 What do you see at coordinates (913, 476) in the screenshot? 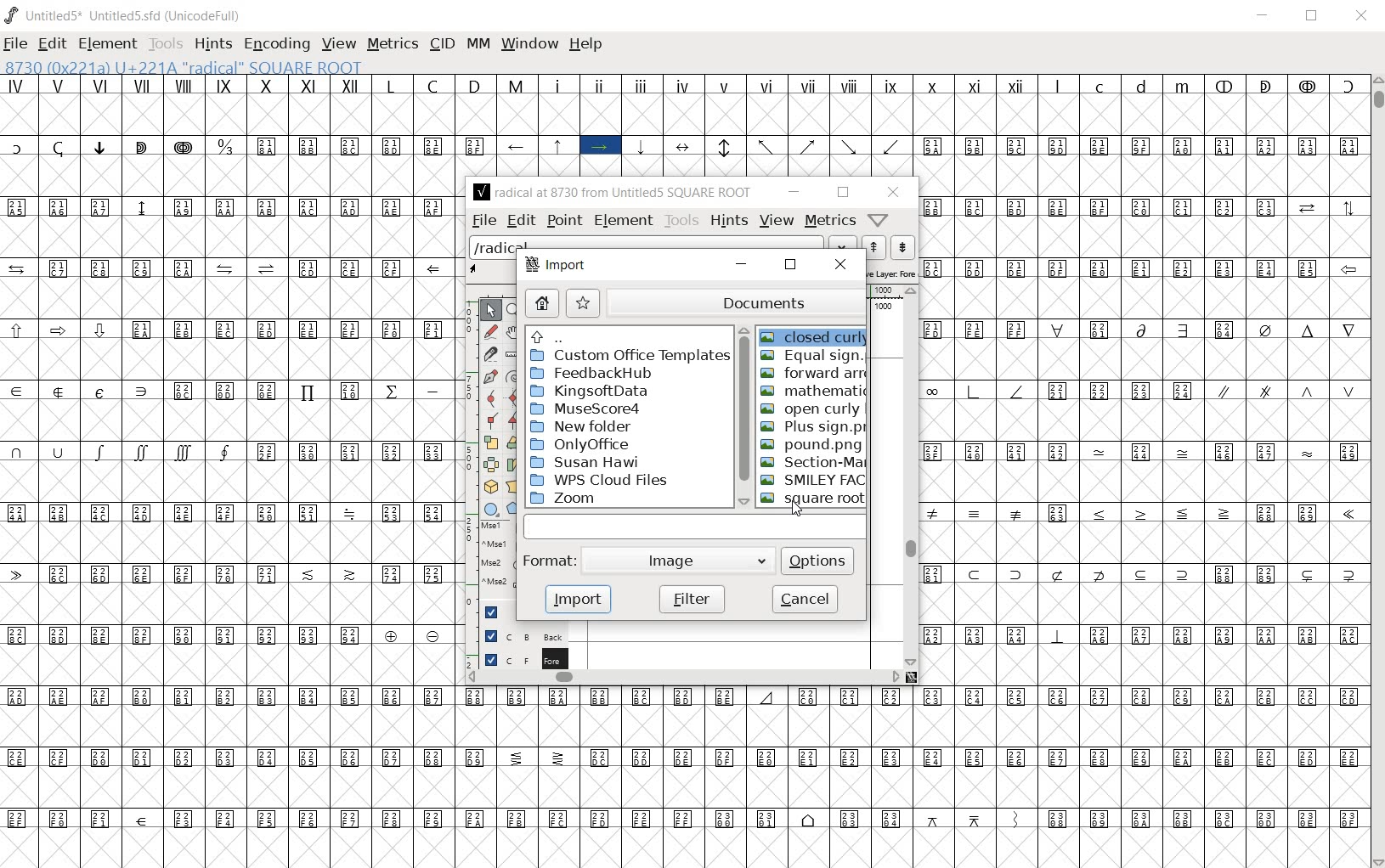
I see `scrollbar` at bounding box center [913, 476].